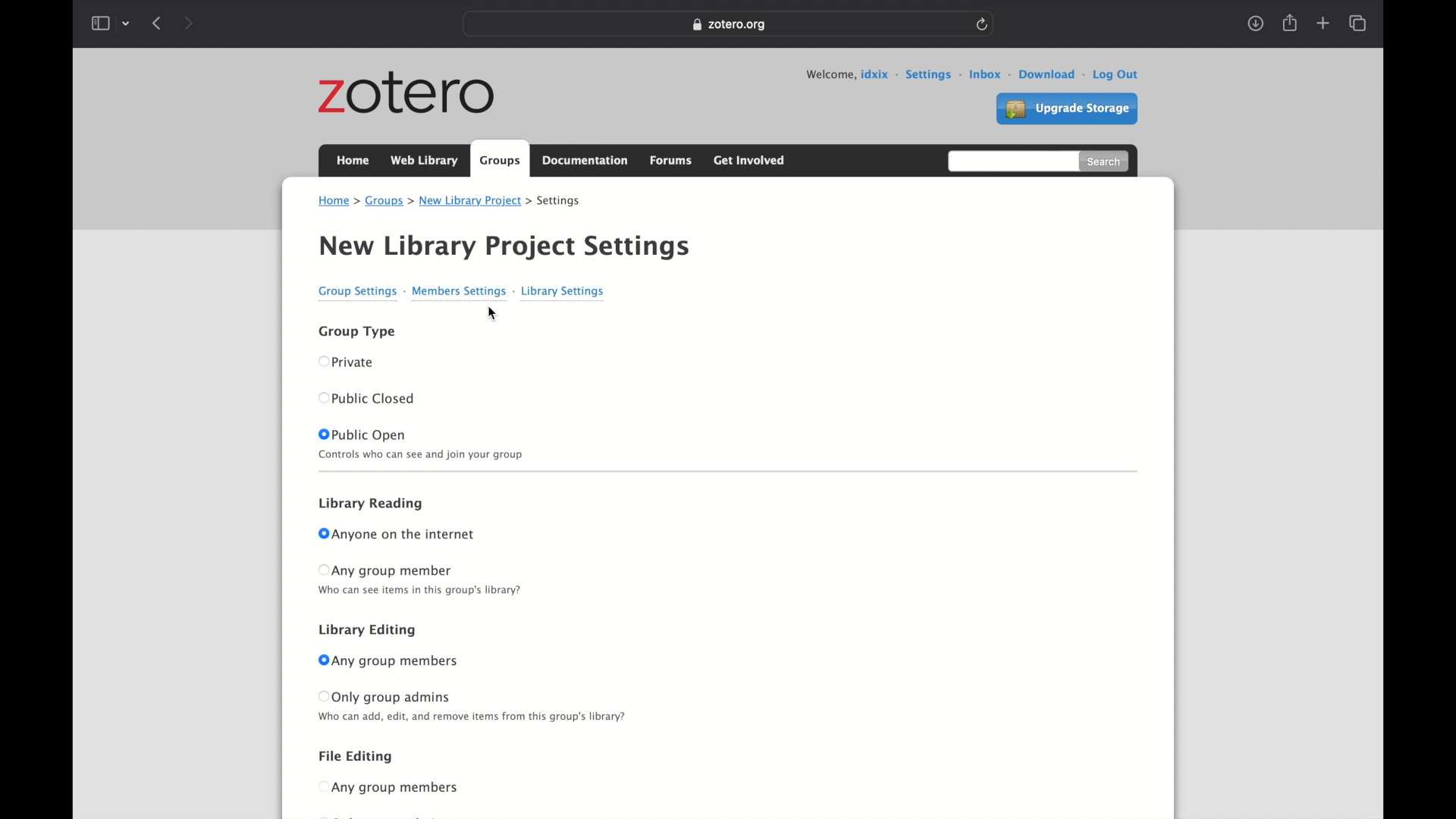 The image size is (1456, 819). I want to click on library reading, so click(372, 504).